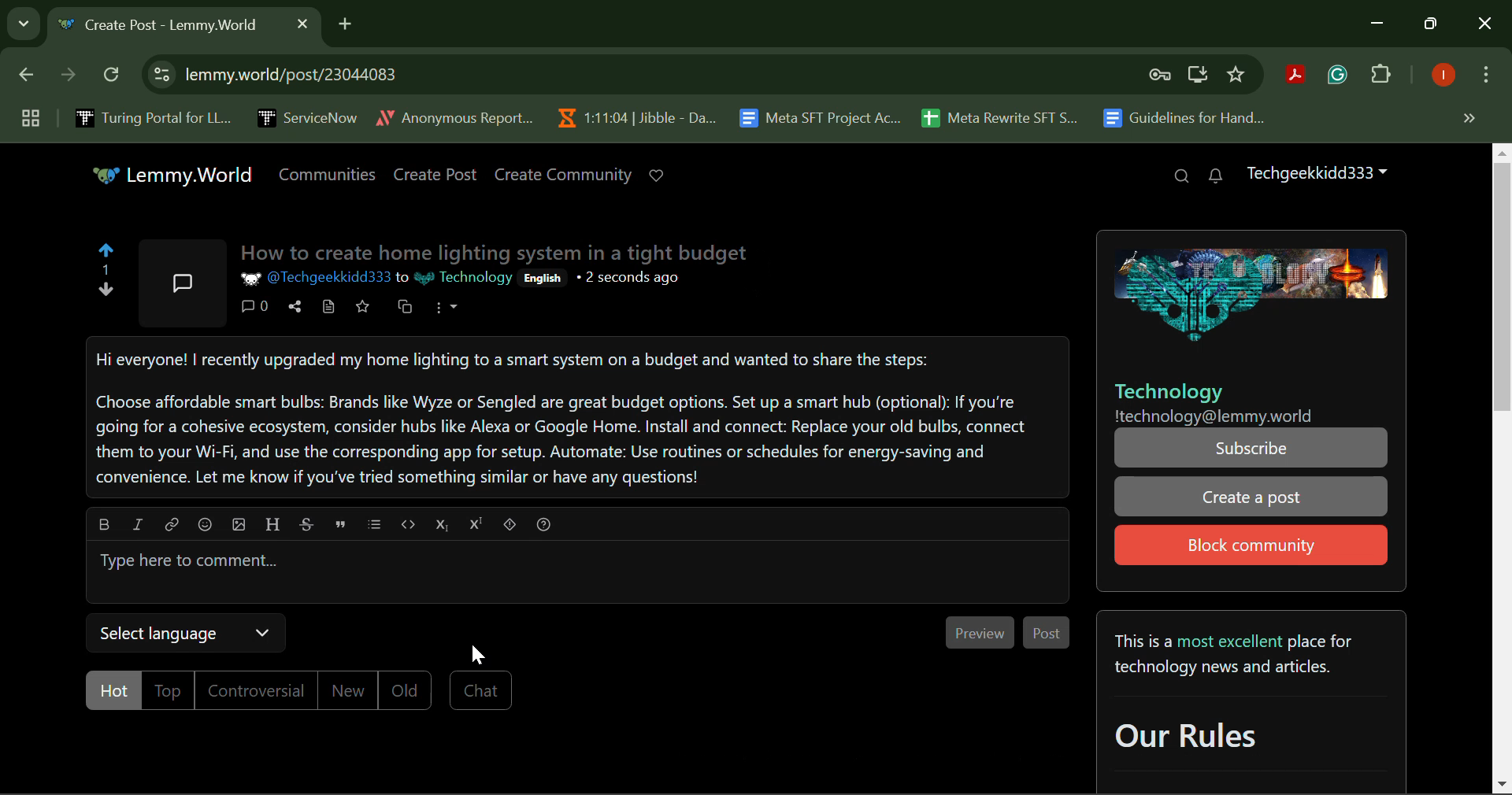 The width and height of the screenshot is (1512, 795). Describe the element at coordinates (1251, 497) in the screenshot. I see `Create a post Button` at that location.